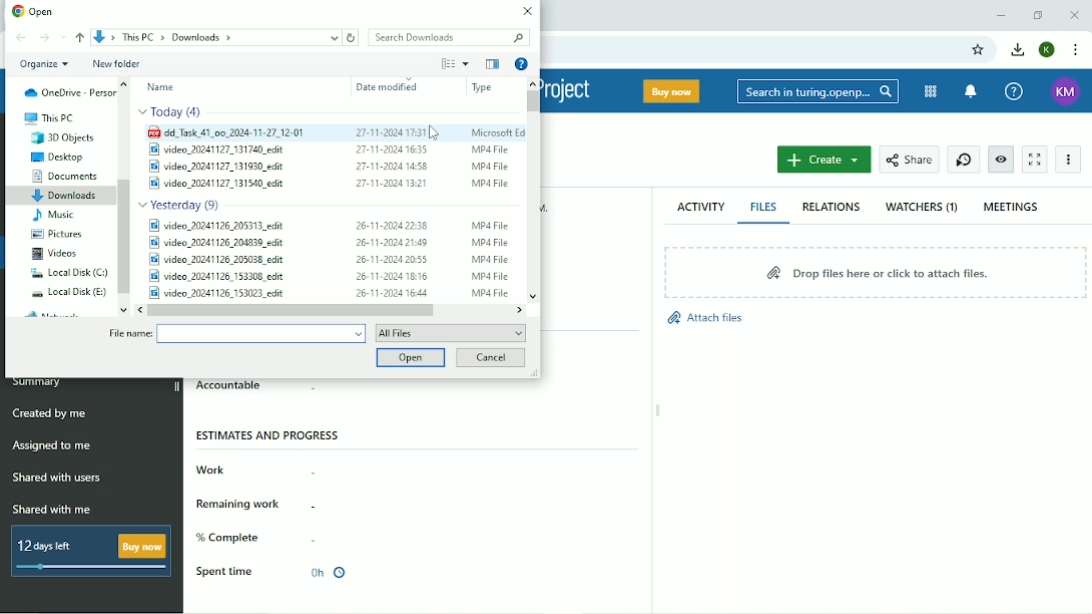 This screenshot has height=614, width=1092. Describe the element at coordinates (327, 260) in the screenshot. I see `Video file` at that location.